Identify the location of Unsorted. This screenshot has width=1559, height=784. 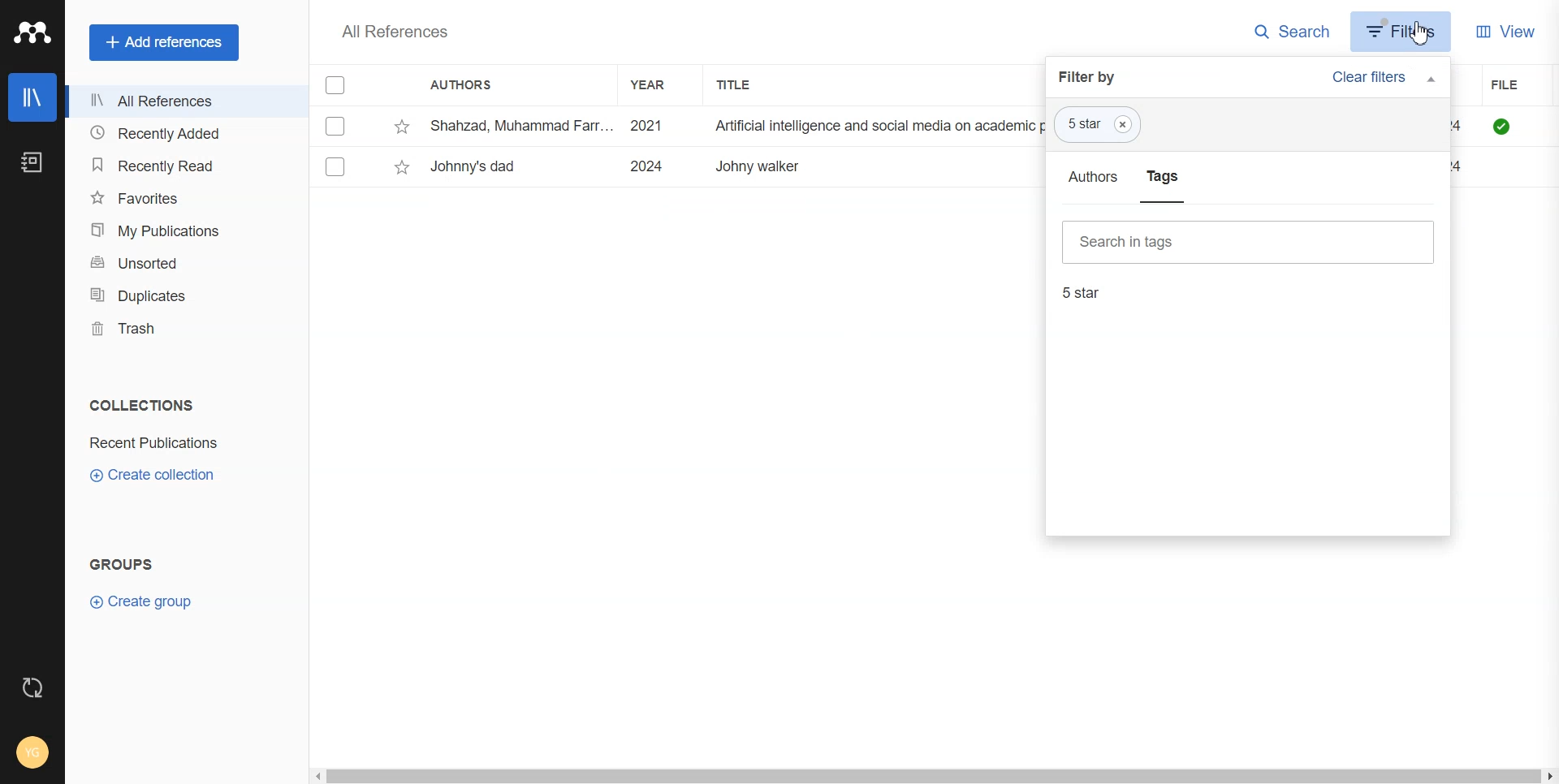
(181, 263).